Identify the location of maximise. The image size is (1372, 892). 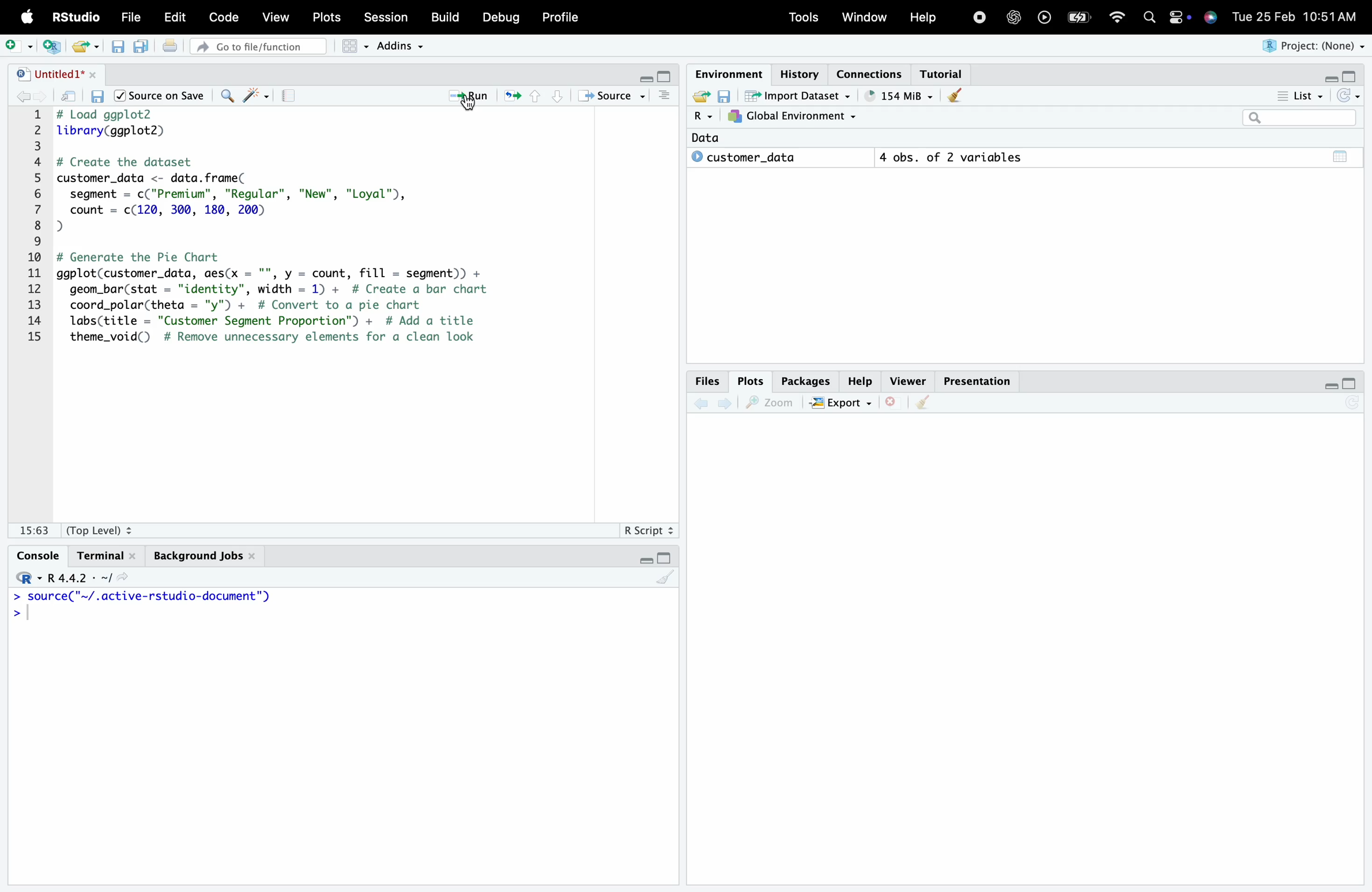
(1352, 383).